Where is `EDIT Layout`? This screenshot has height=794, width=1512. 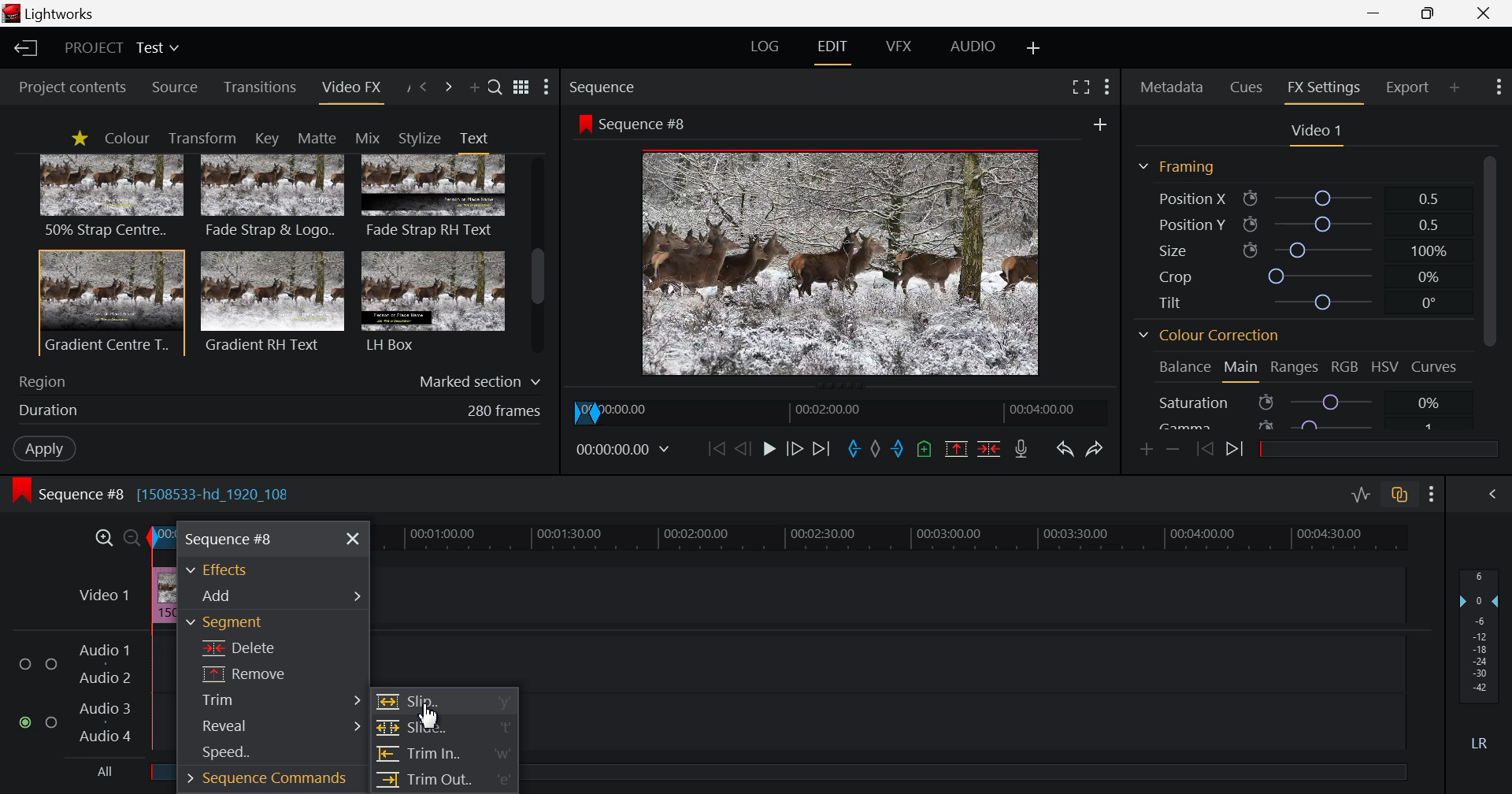 EDIT Layout is located at coordinates (836, 48).